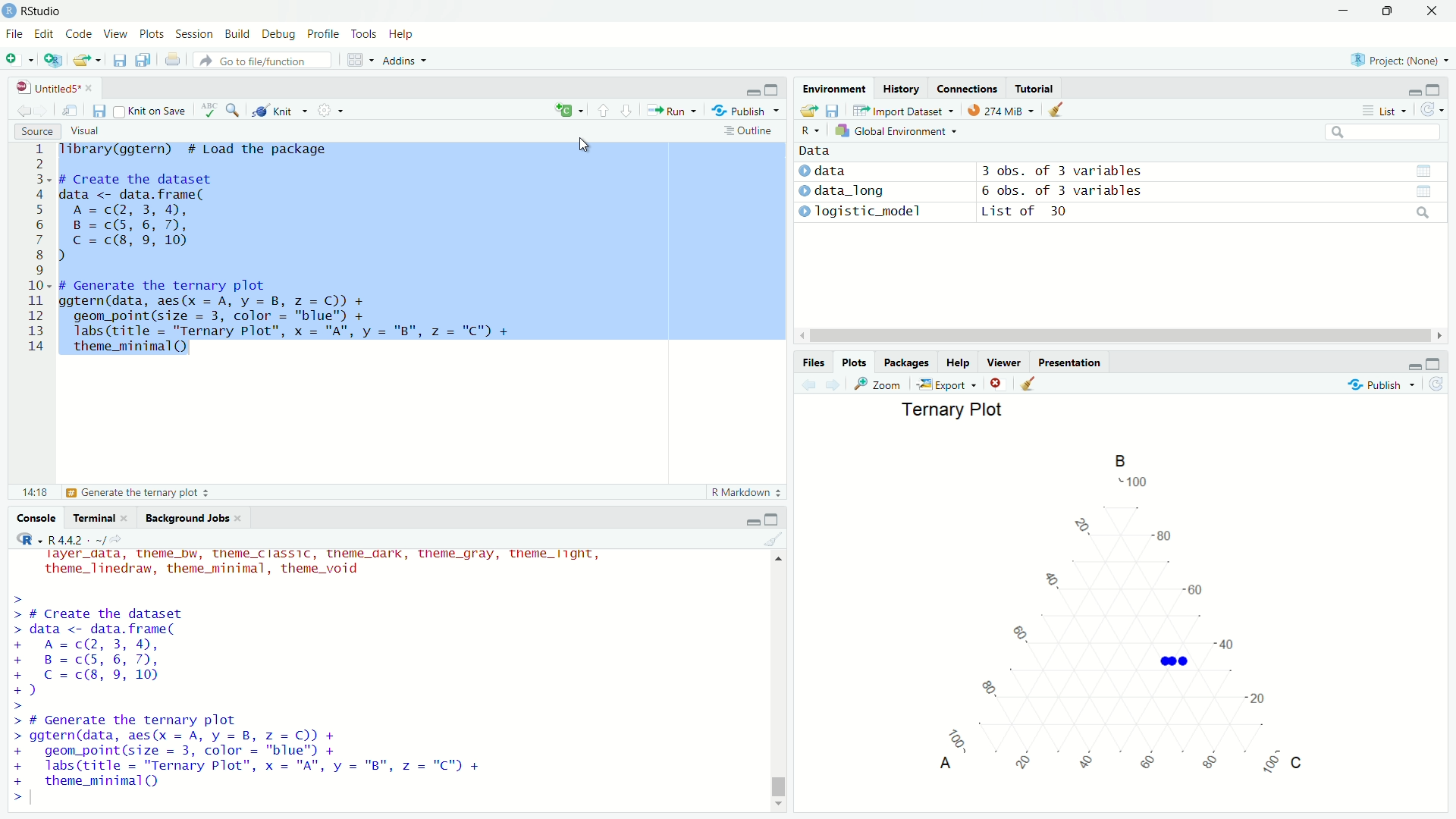  Describe the element at coordinates (775, 88) in the screenshot. I see `maximise` at that location.